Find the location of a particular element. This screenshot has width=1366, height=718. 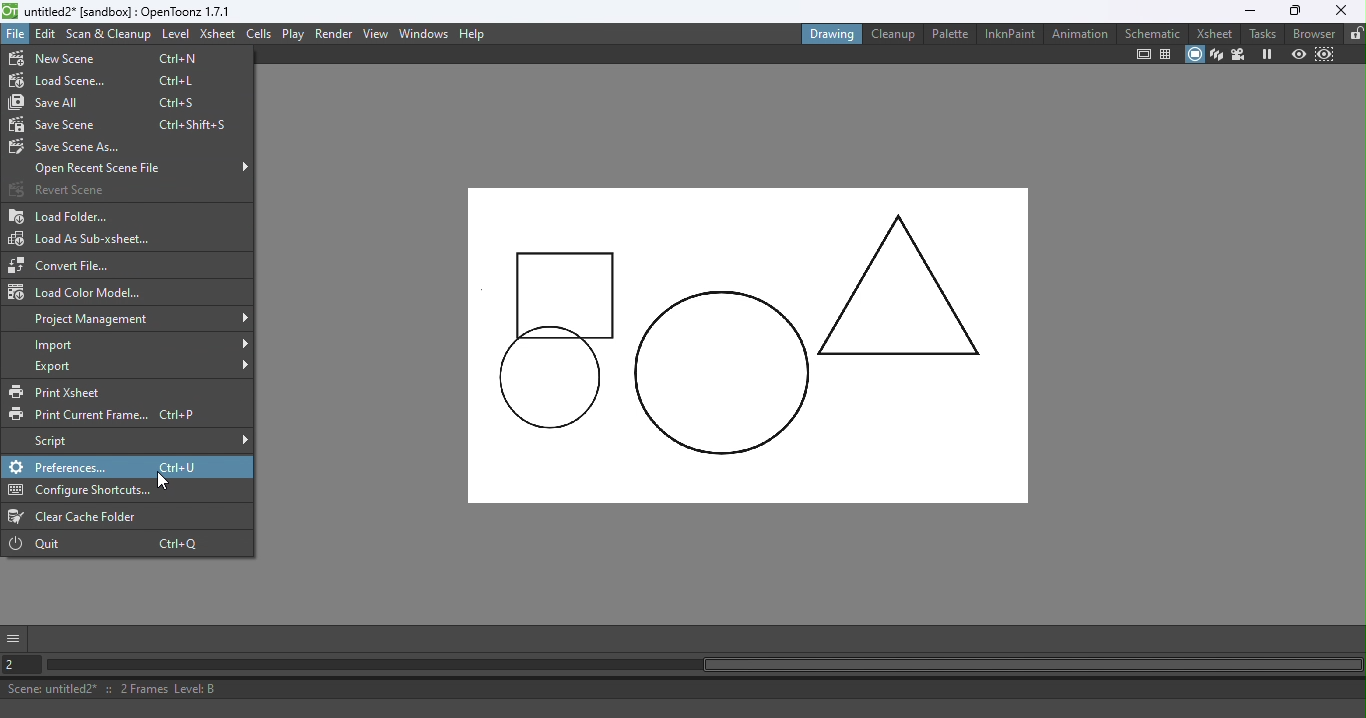

Cells is located at coordinates (259, 34).